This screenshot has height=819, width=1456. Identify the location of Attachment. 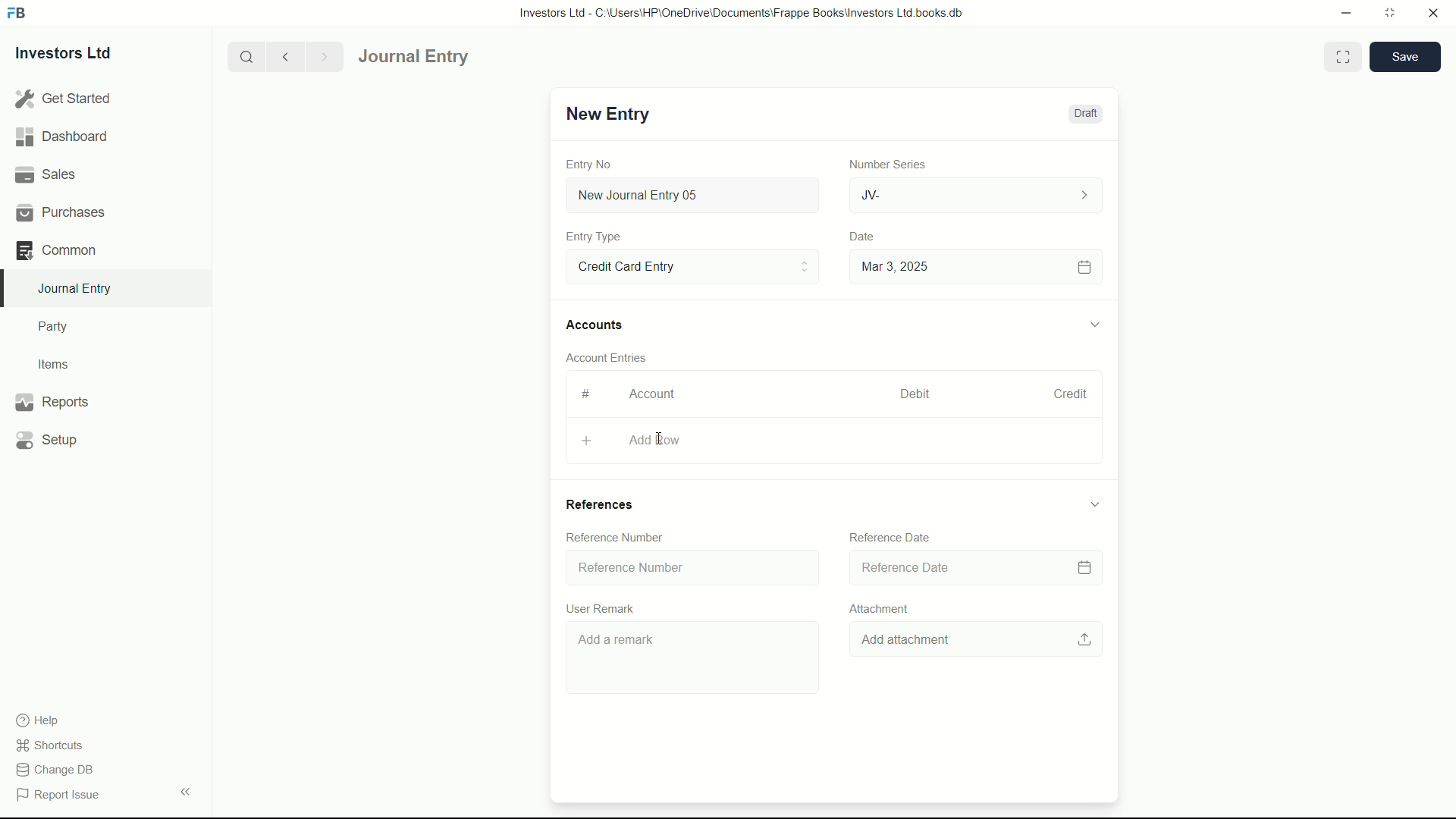
(880, 608).